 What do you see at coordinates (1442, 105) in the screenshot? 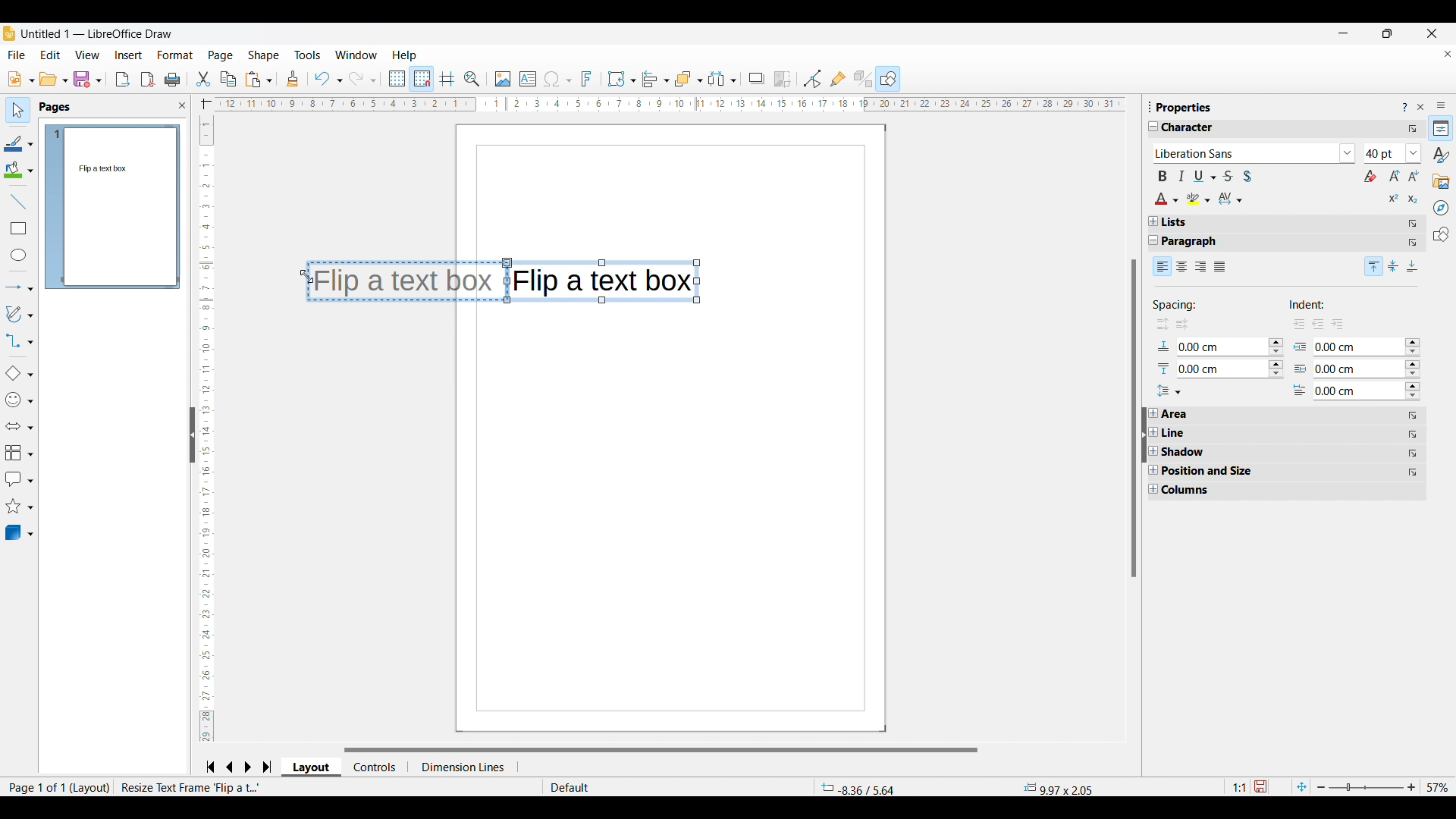
I see `Sidebar settings` at bounding box center [1442, 105].